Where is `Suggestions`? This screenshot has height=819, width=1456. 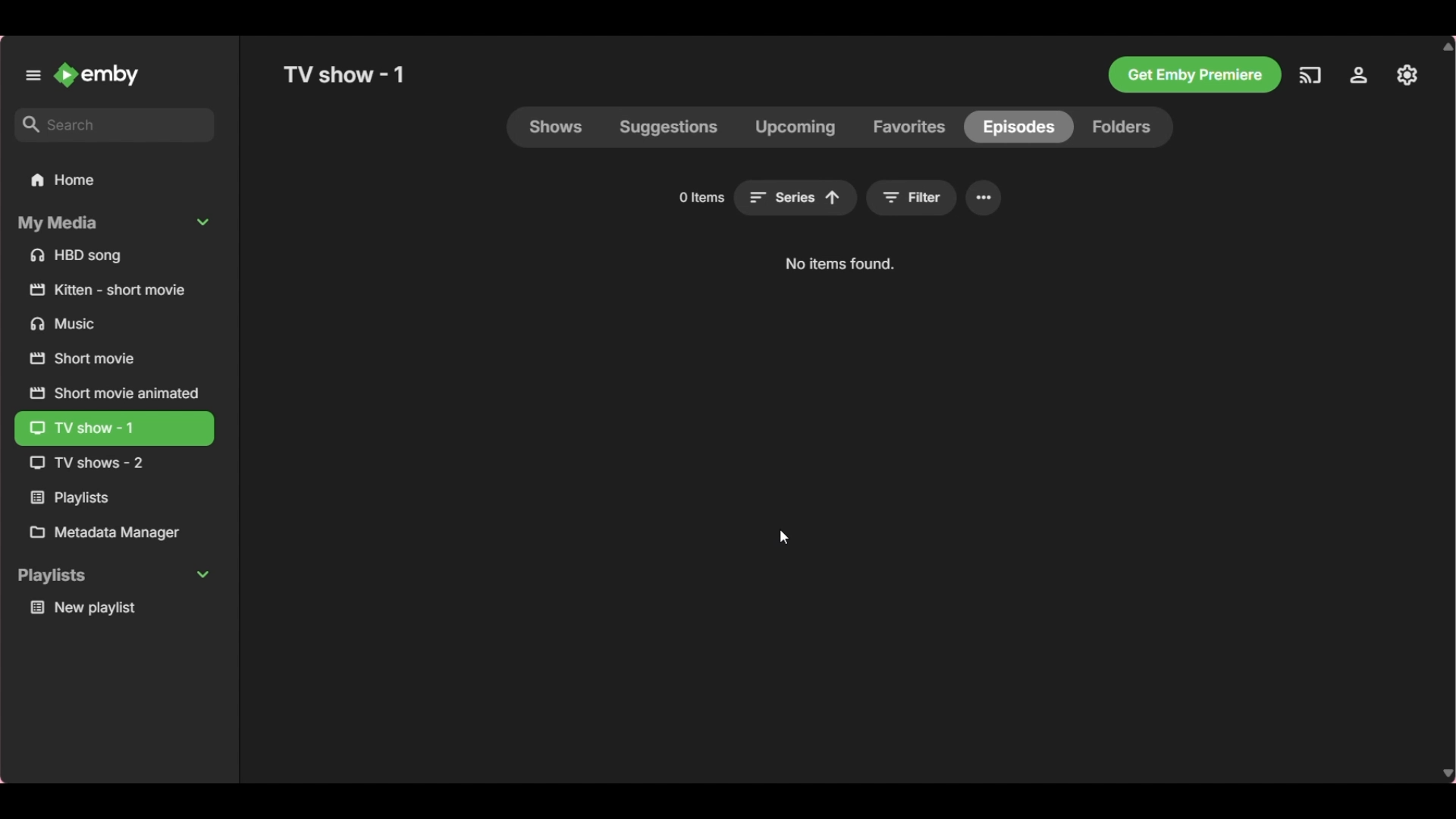
Suggestions is located at coordinates (669, 127).